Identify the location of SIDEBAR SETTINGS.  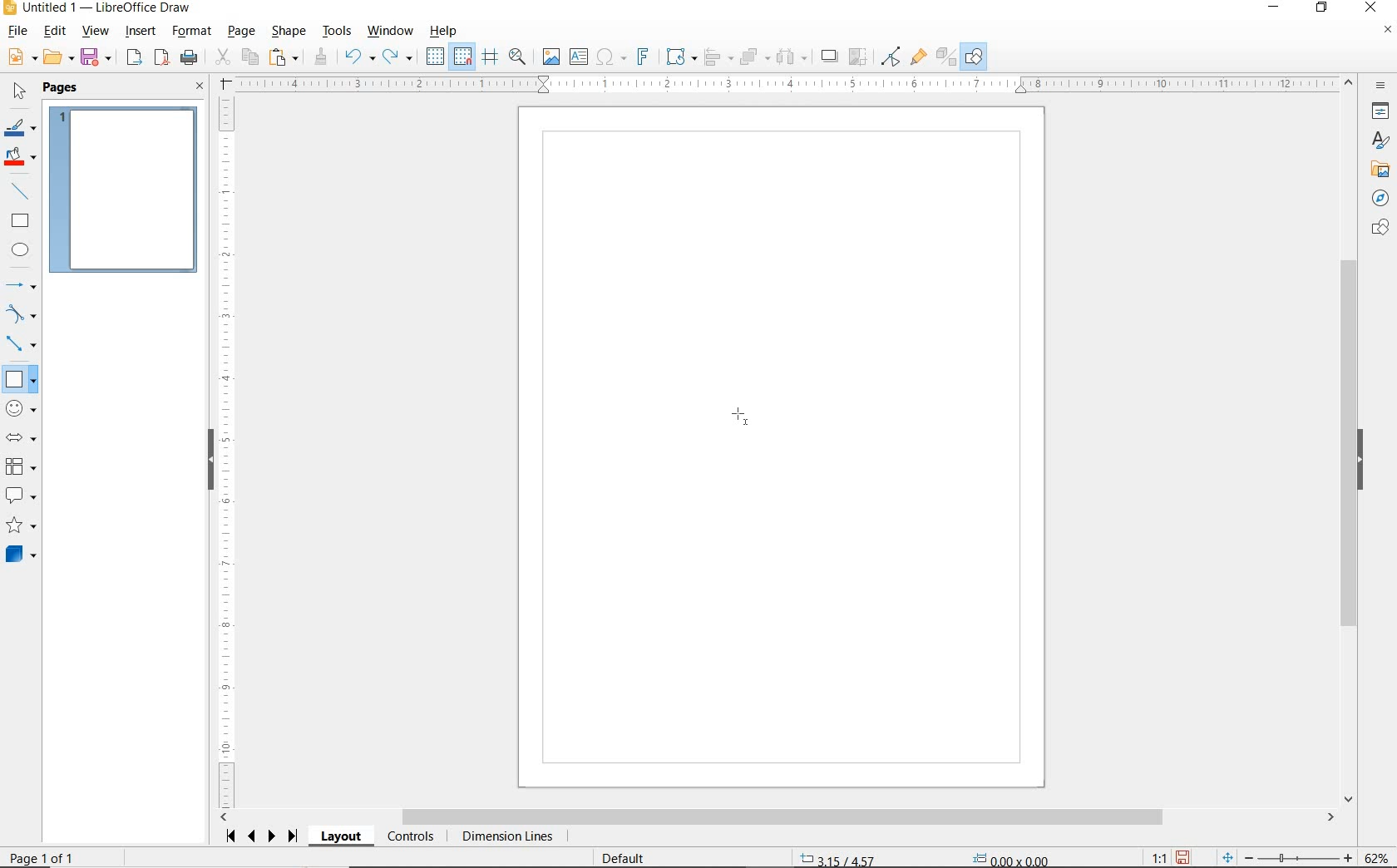
(1382, 86).